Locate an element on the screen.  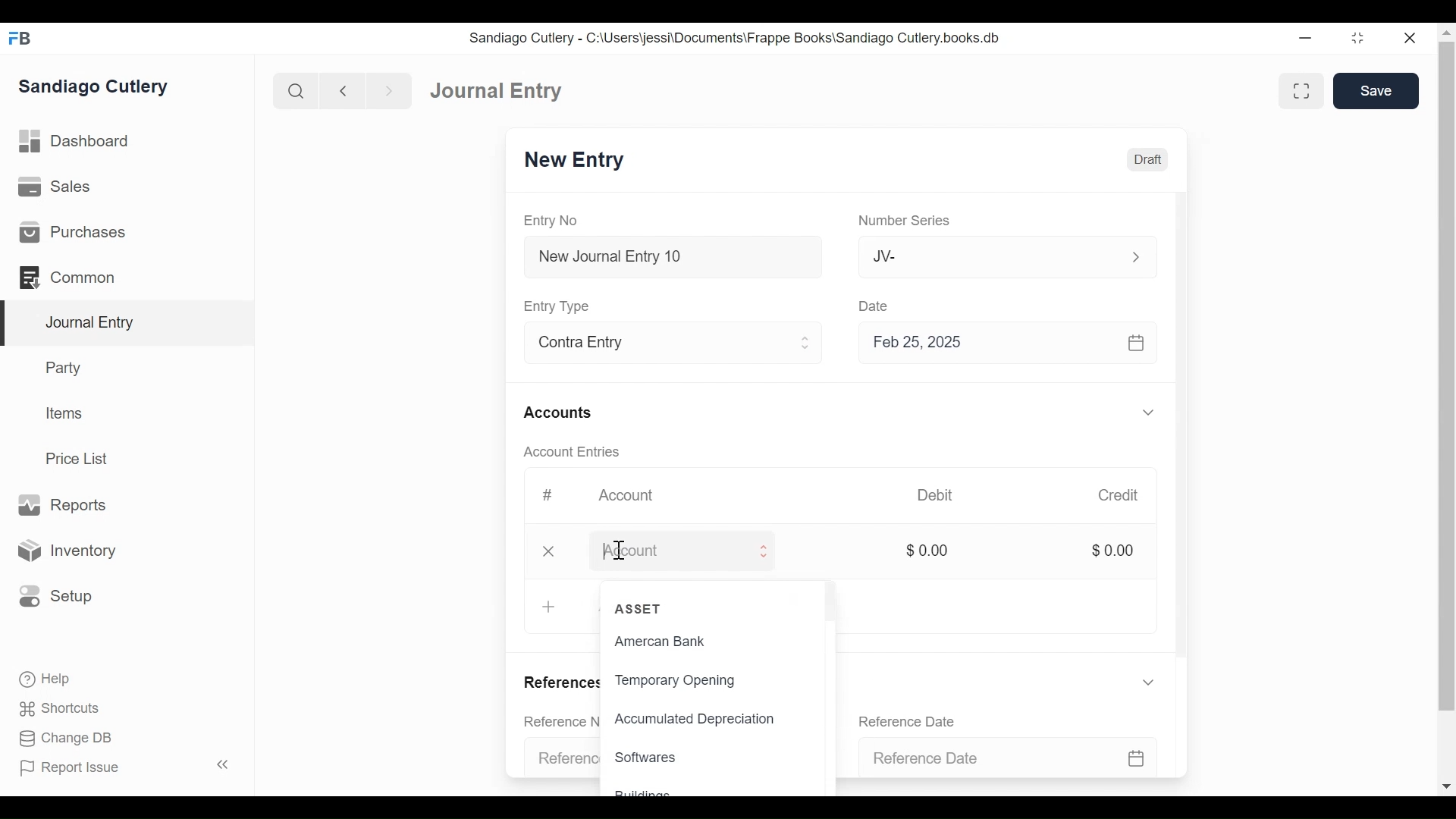
Close is located at coordinates (1414, 37).